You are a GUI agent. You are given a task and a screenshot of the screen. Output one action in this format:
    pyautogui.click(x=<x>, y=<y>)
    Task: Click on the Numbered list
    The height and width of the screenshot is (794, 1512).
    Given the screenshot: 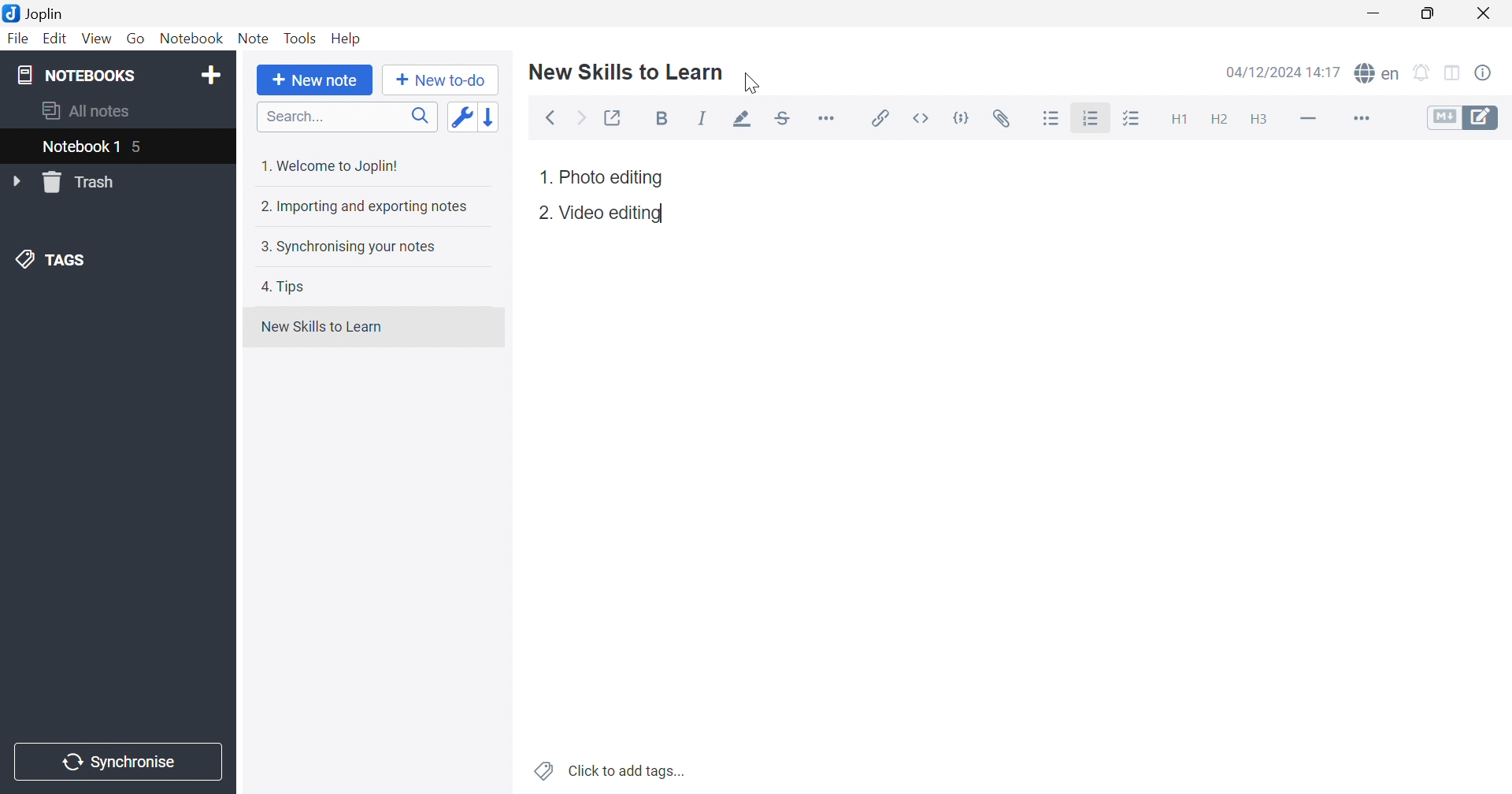 What is the action you would take?
    pyautogui.click(x=1092, y=118)
    